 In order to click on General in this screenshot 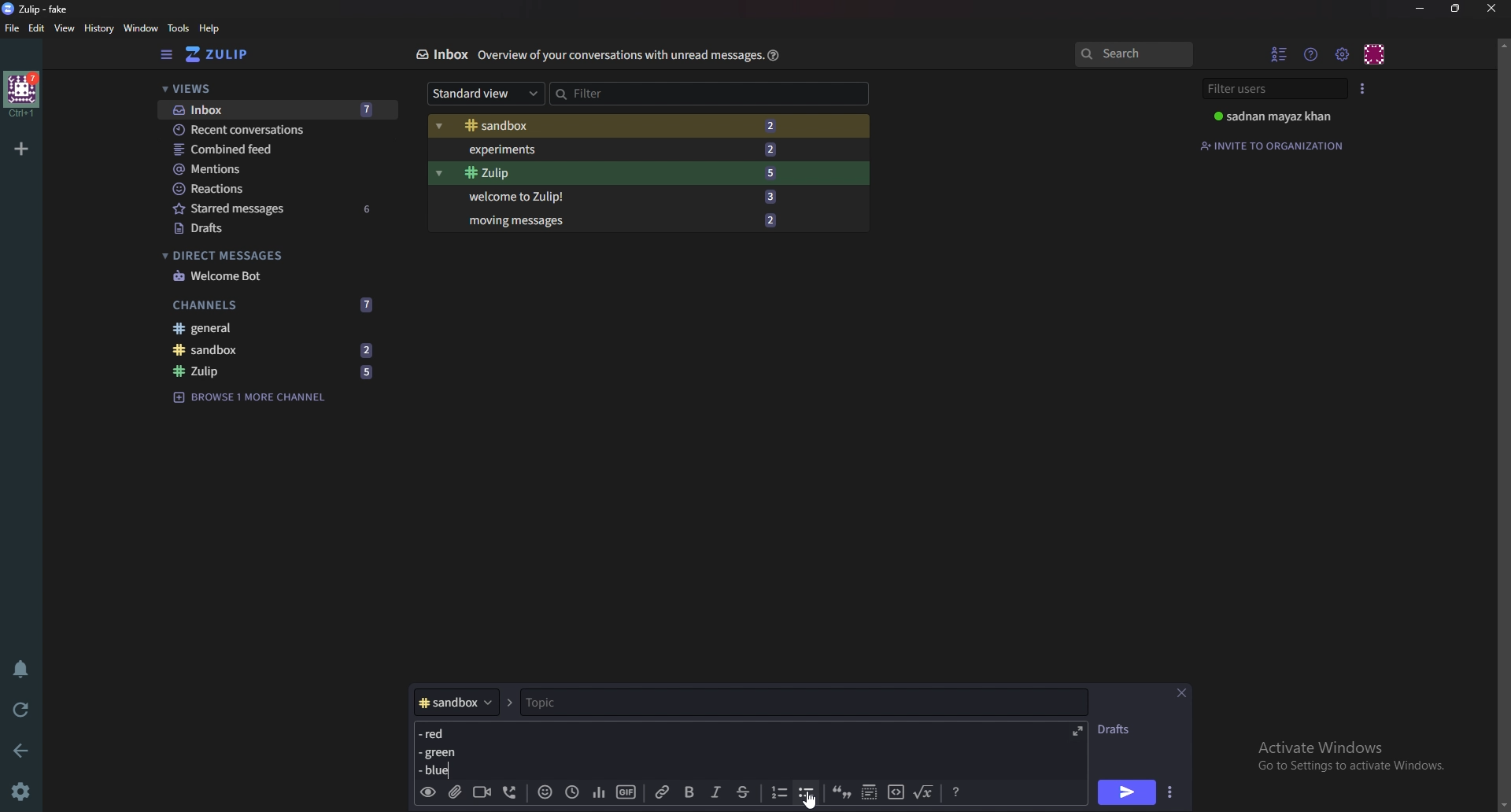, I will do `click(268, 327)`.